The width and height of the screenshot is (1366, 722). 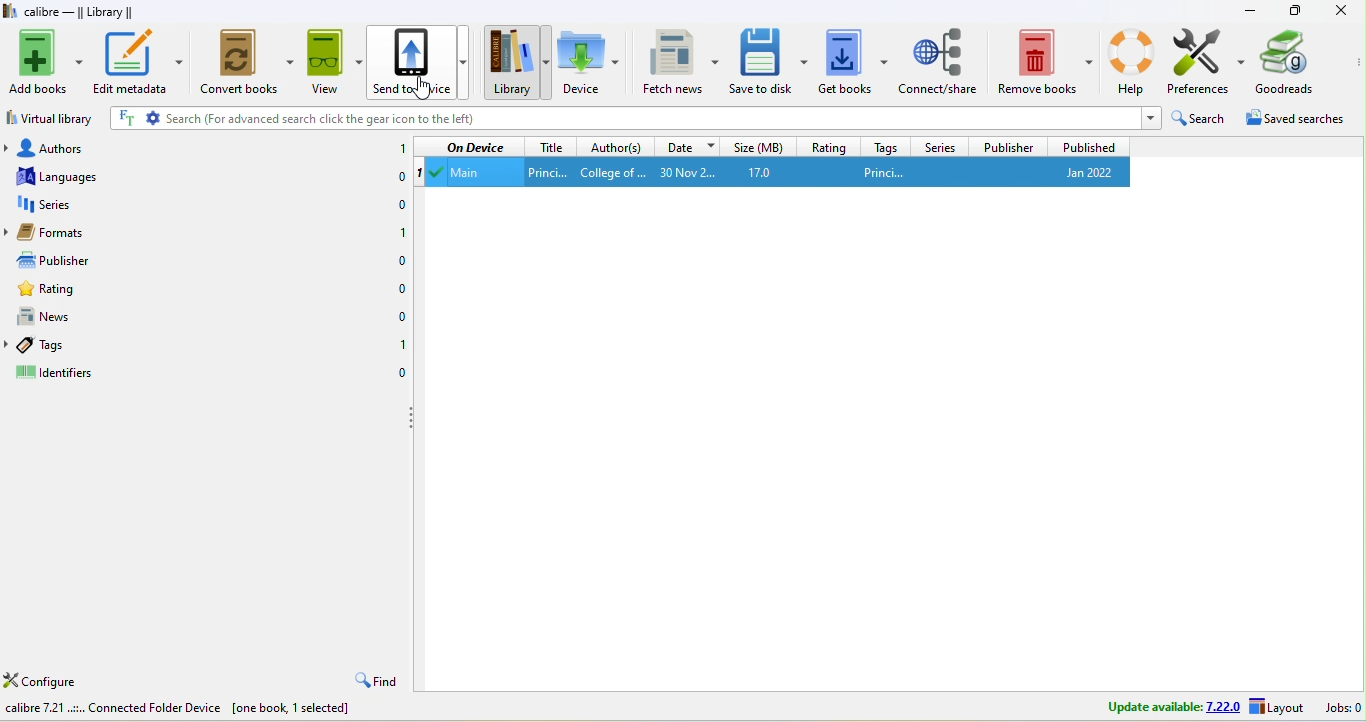 What do you see at coordinates (1246, 10) in the screenshot?
I see `minimize` at bounding box center [1246, 10].